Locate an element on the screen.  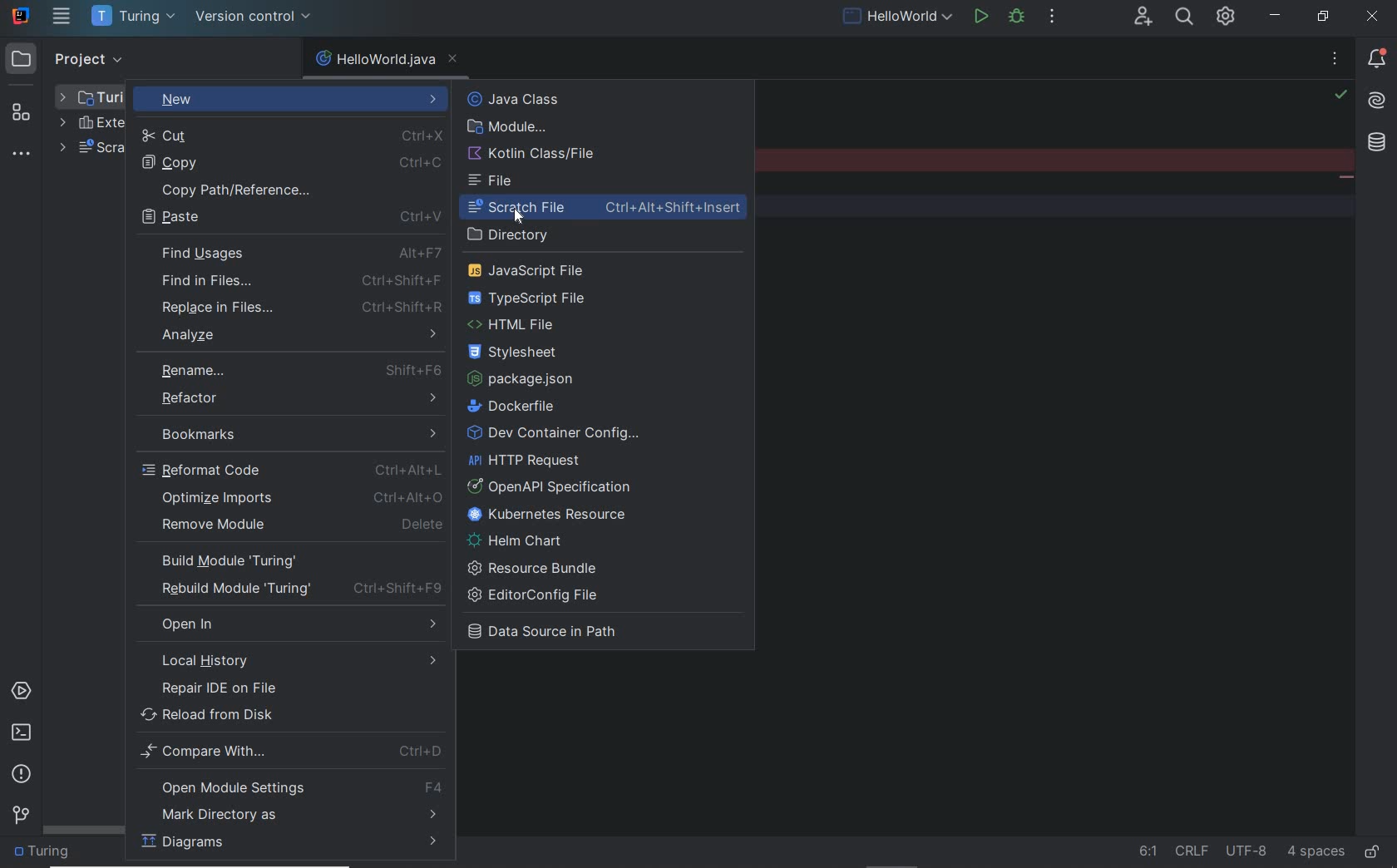
run or debug configurations is located at coordinates (900, 18).